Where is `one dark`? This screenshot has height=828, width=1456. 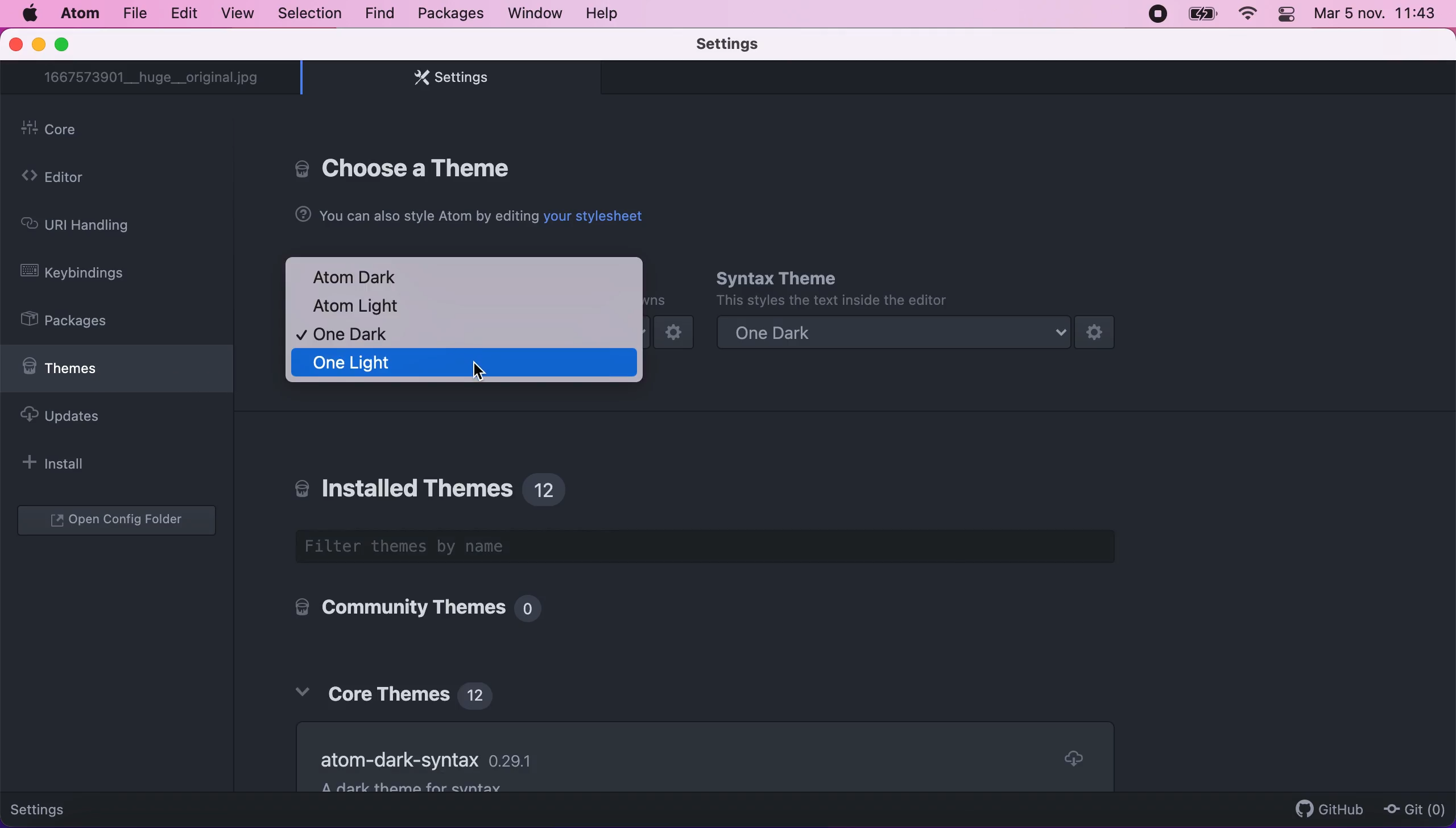 one dark is located at coordinates (354, 335).